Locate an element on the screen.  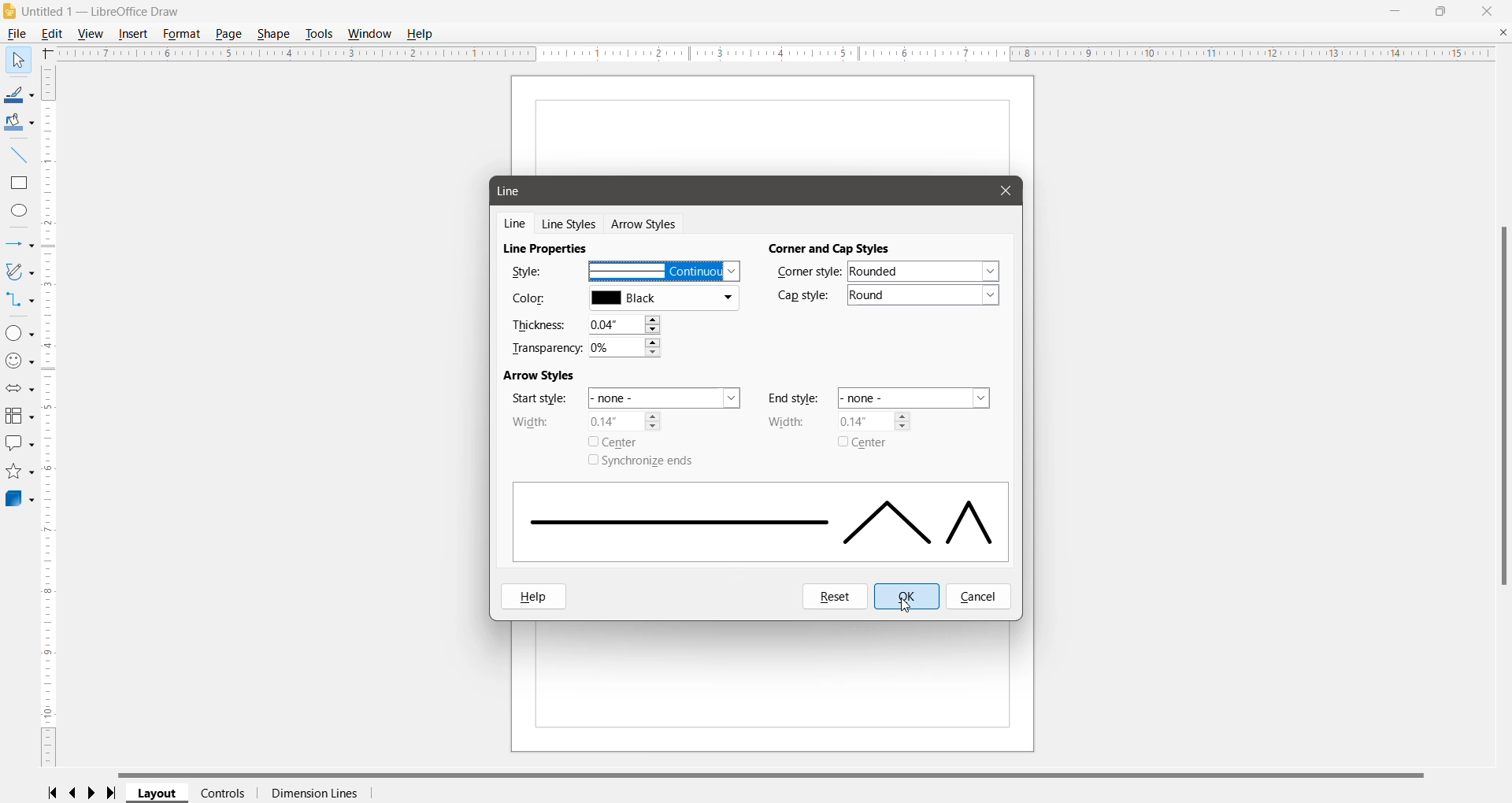
Style is located at coordinates (528, 272).